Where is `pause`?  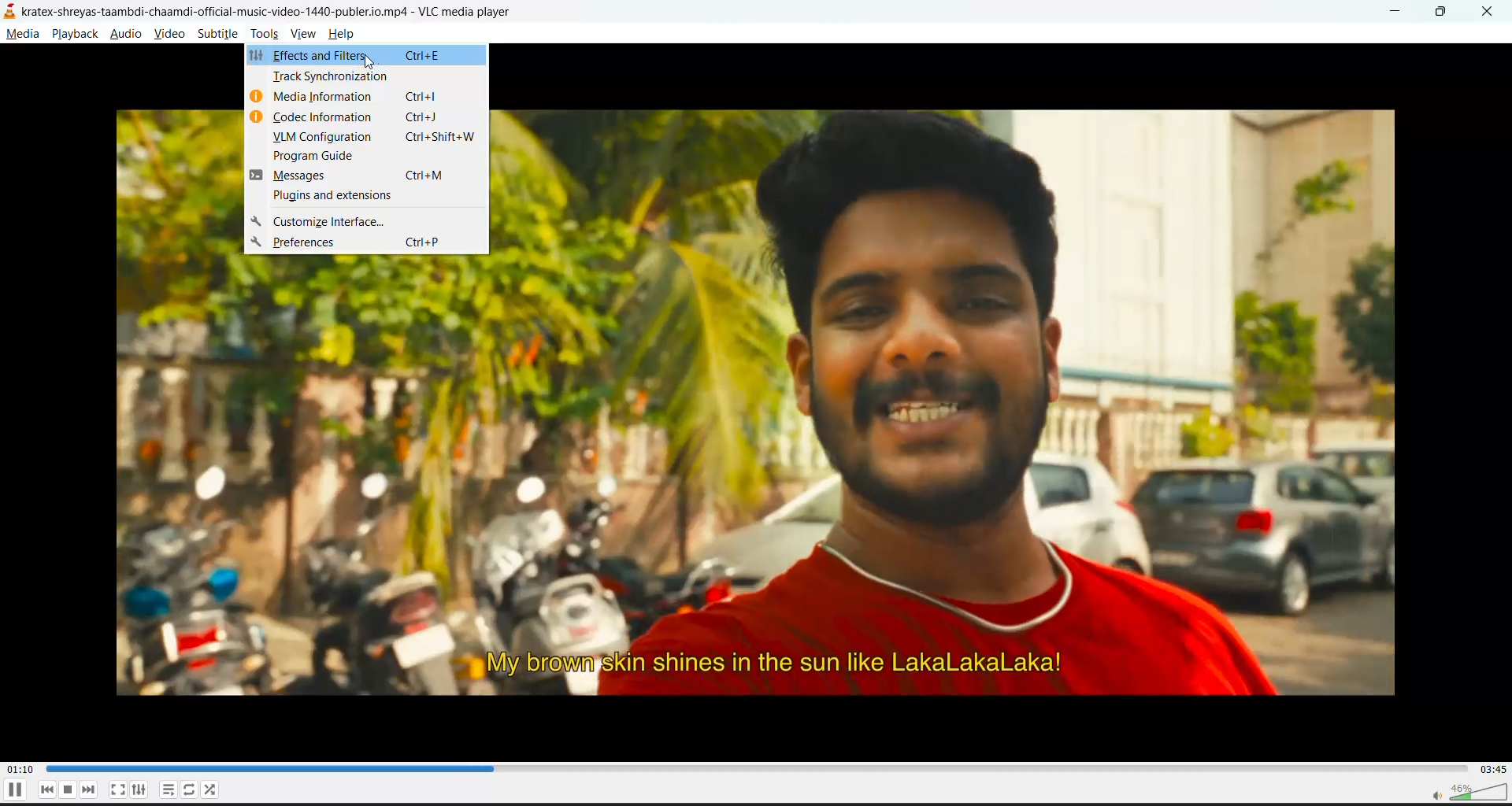
pause is located at coordinates (14, 792).